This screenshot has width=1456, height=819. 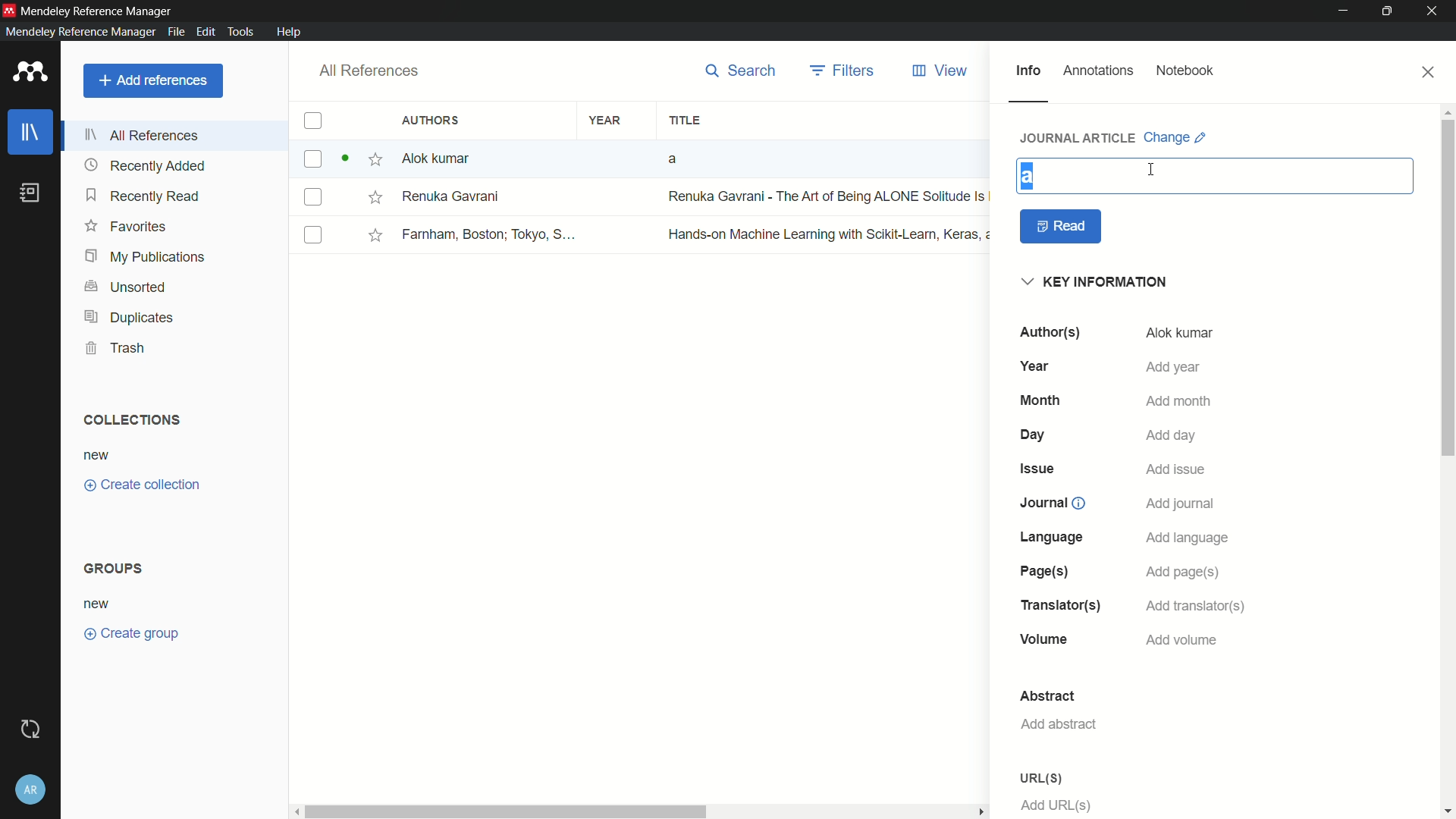 I want to click on alok kumar, so click(x=1179, y=334).